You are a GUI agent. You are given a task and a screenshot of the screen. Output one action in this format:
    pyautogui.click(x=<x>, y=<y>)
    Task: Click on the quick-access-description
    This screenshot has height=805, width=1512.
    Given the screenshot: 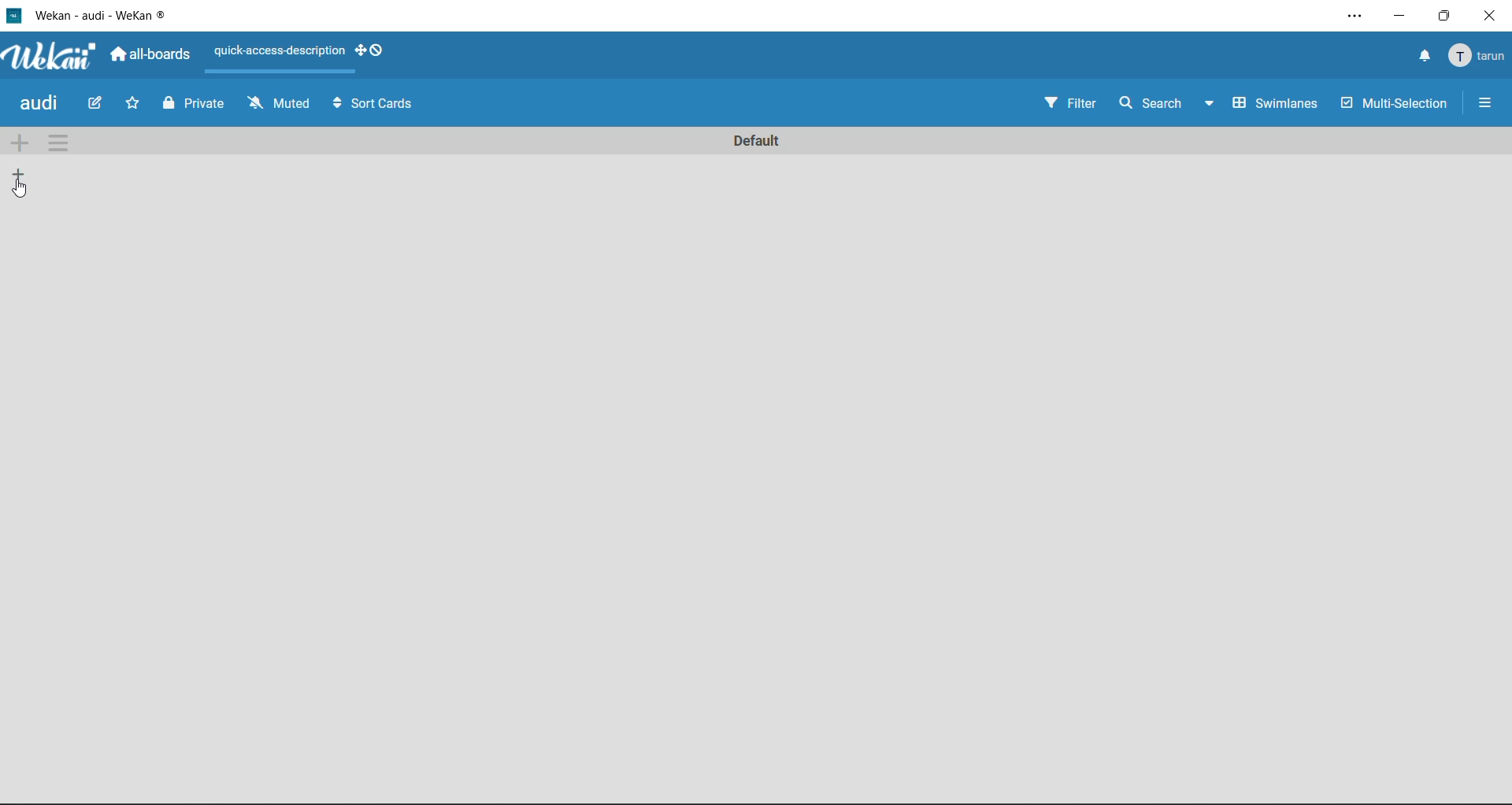 What is the action you would take?
    pyautogui.click(x=279, y=52)
    